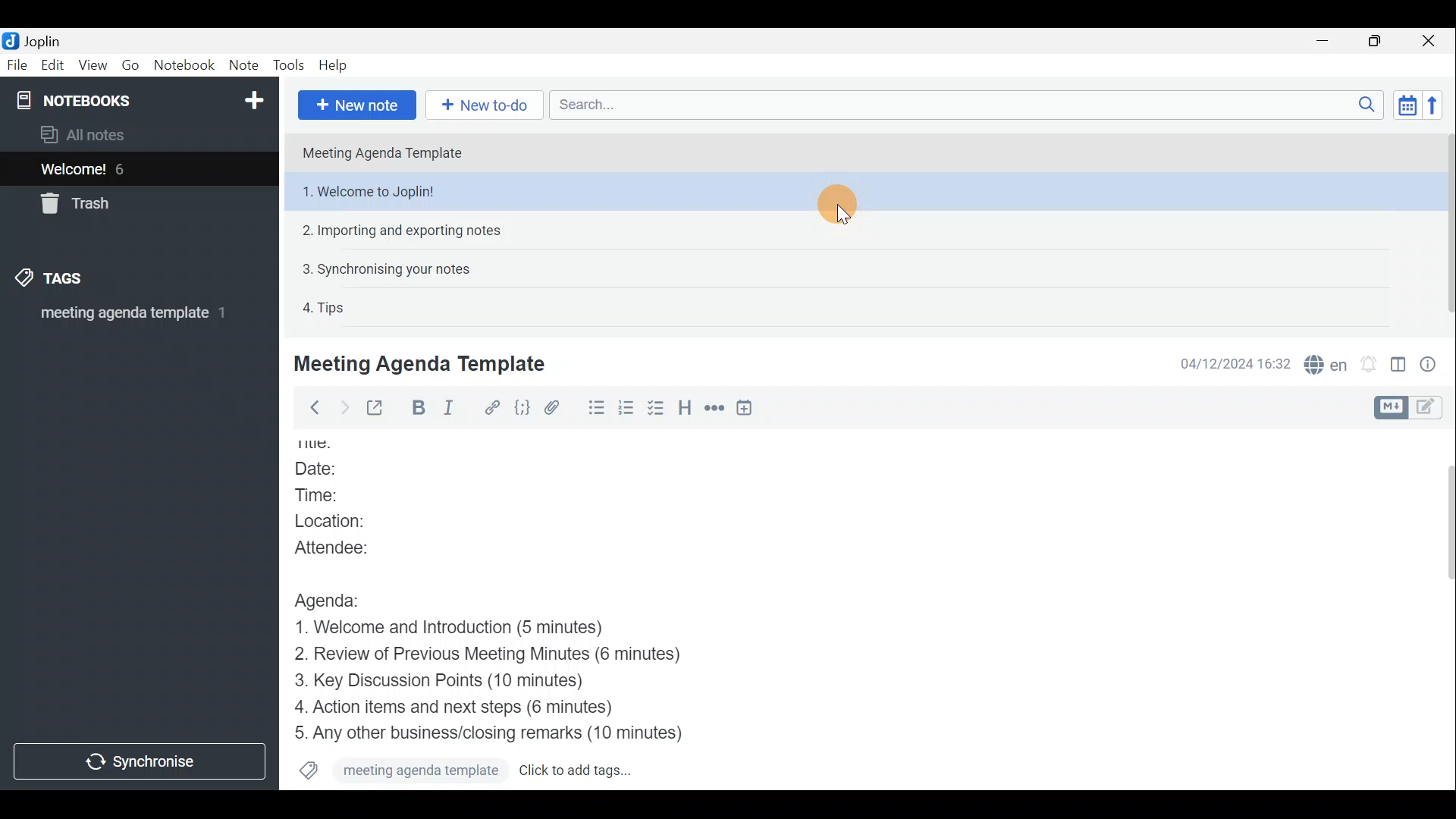 Image resolution: width=1456 pixels, height=819 pixels. Describe the element at coordinates (1325, 40) in the screenshot. I see `Minimise` at that location.